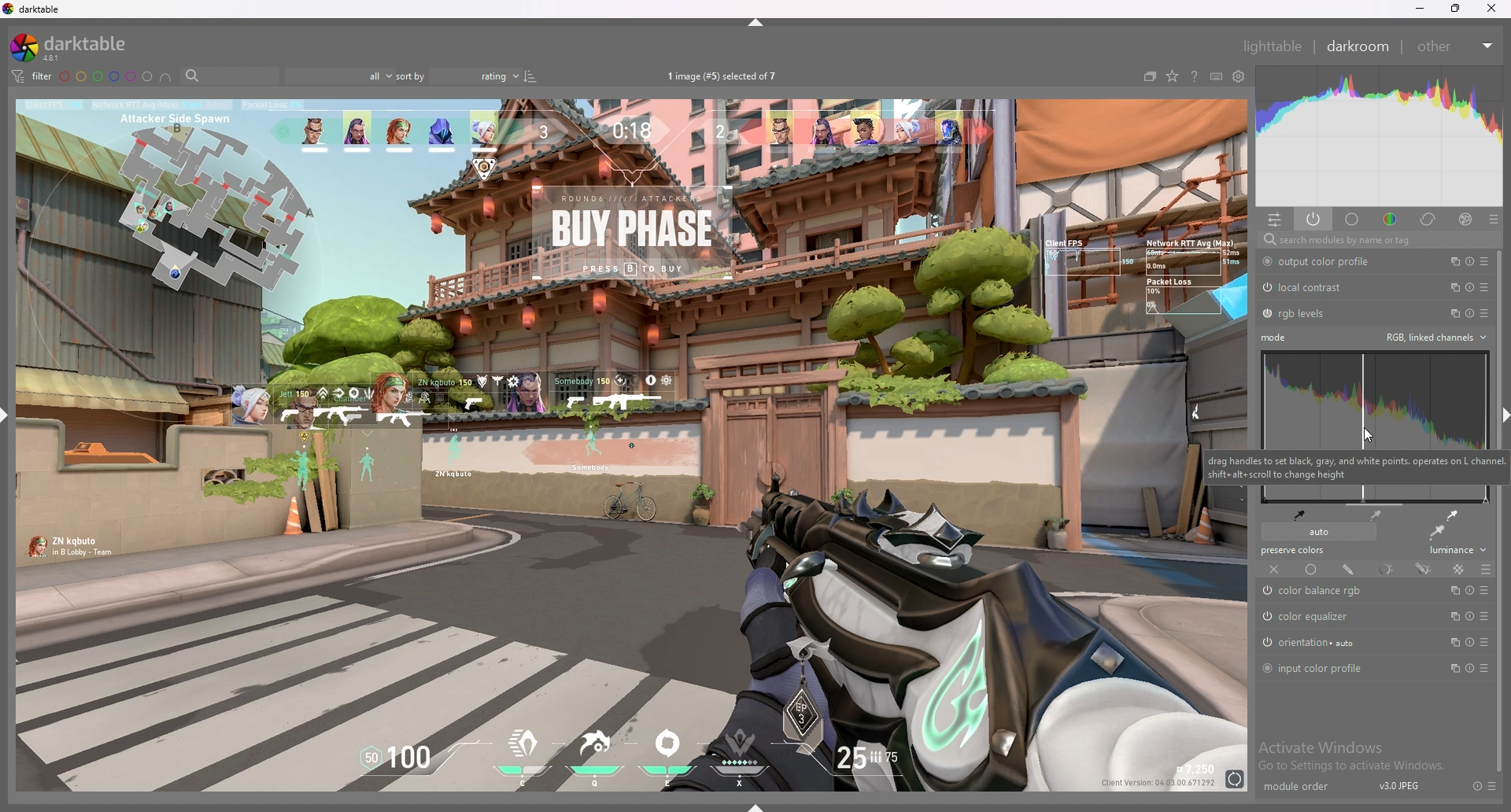 The width and height of the screenshot is (1511, 812). Describe the element at coordinates (1311, 570) in the screenshot. I see `uniformly` at that location.